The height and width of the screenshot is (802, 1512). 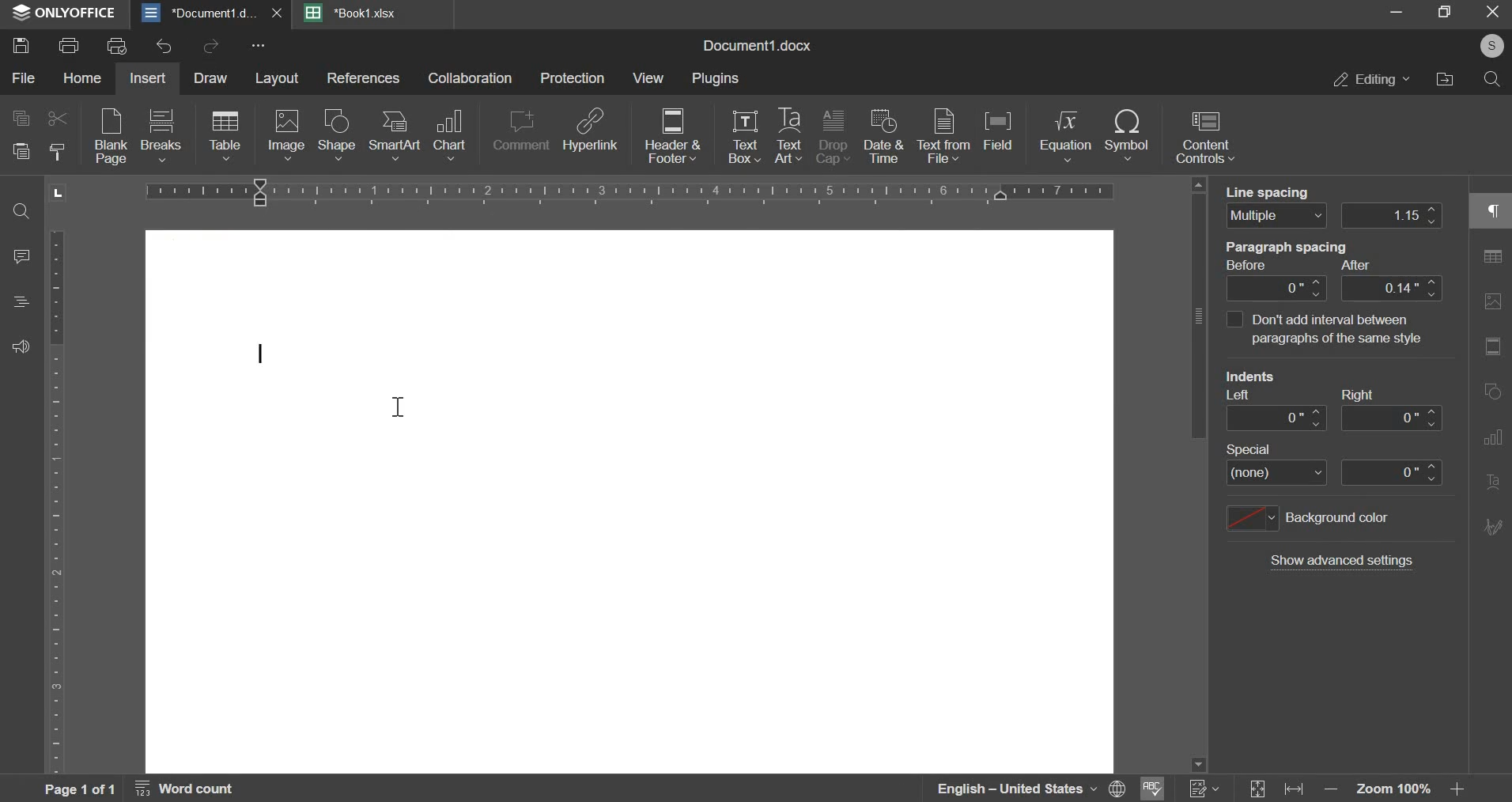 What do you see at coordinates (1492, 346) in the screenshot?
I see `Image Tool` at bounding box center [1492, 346].